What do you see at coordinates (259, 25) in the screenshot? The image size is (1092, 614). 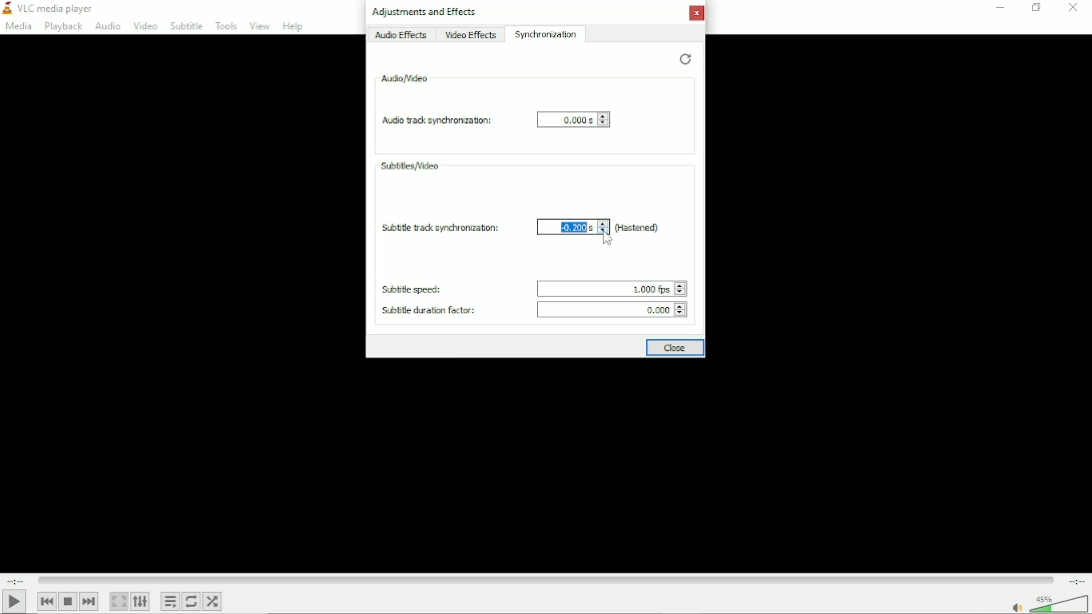 I see `View` at bounding box center [259, 25].